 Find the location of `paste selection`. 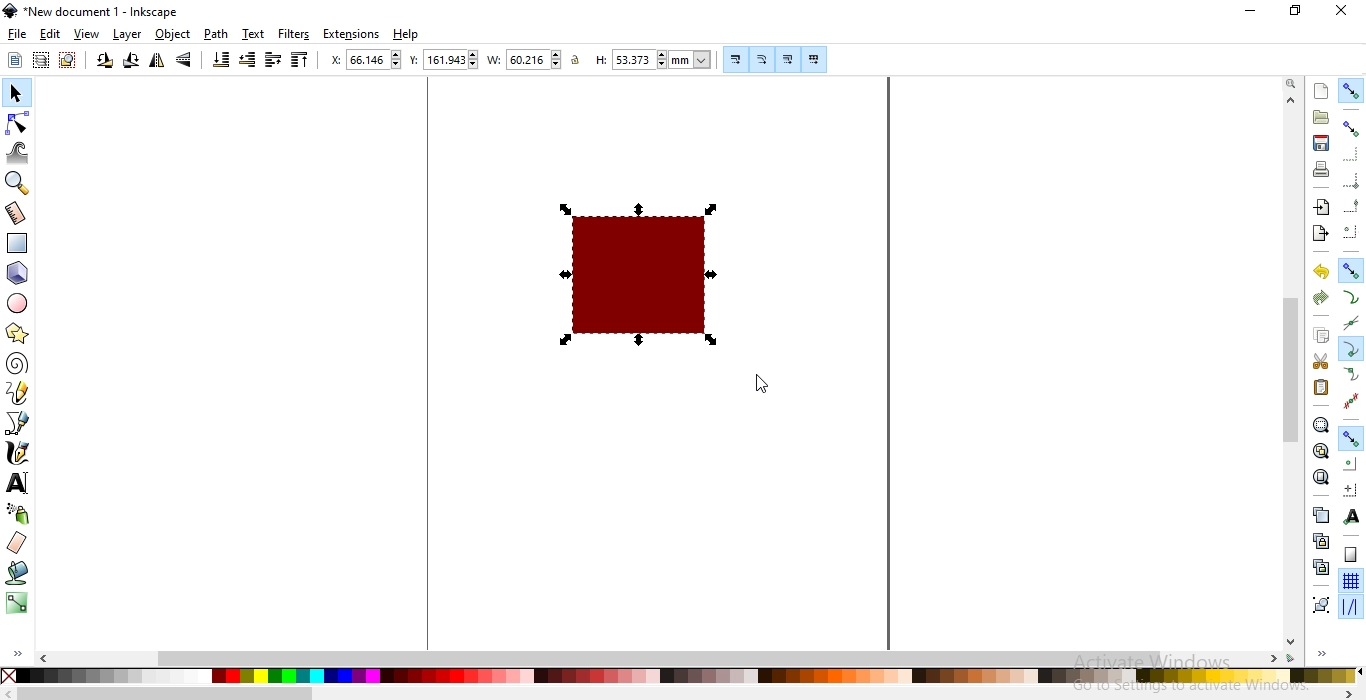

paste selection is located at coordinates (1321, 388).